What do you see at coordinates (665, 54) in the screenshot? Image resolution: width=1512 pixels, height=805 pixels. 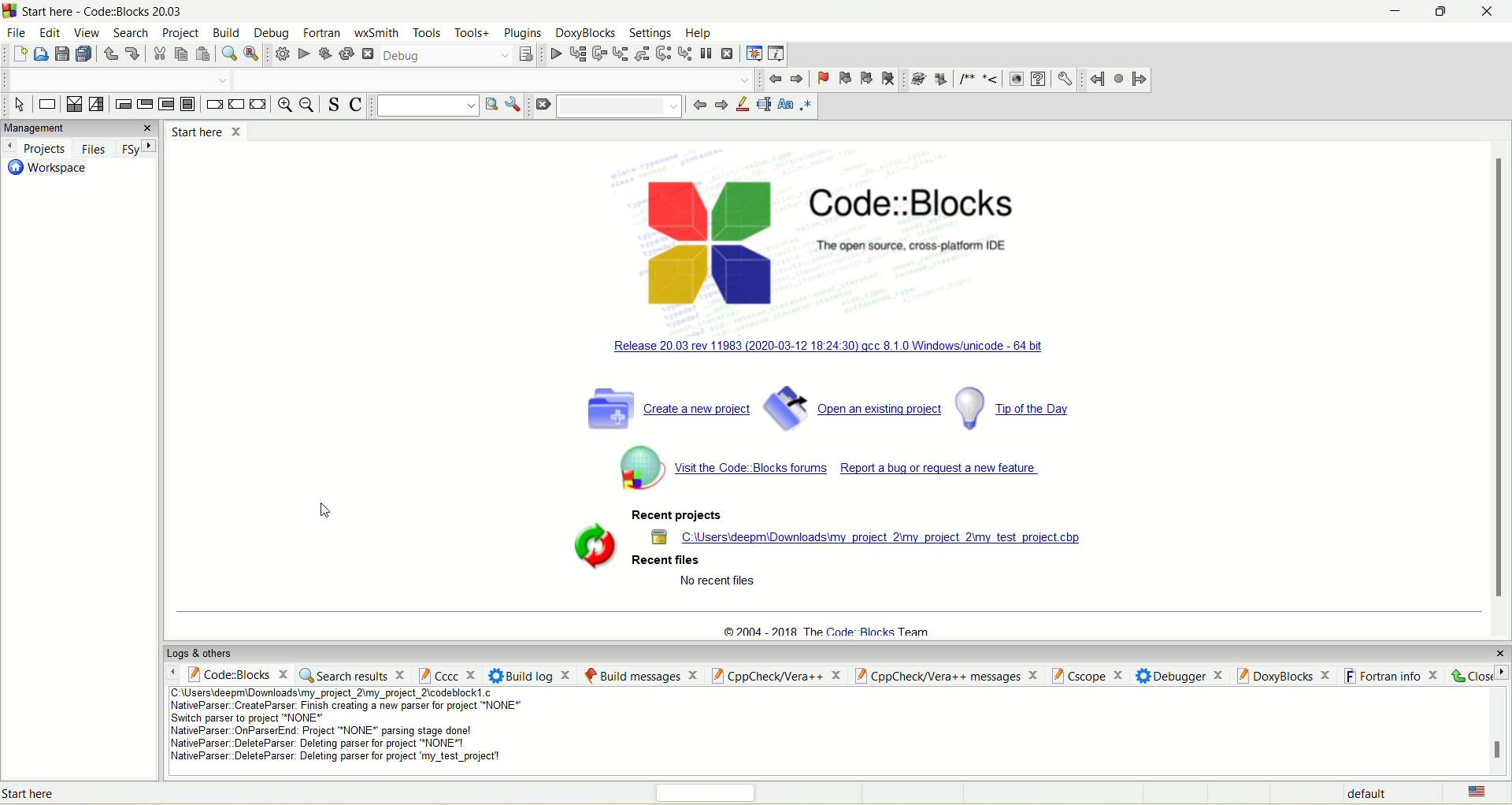 I see `next instruction` at bounding box center [665, 54].